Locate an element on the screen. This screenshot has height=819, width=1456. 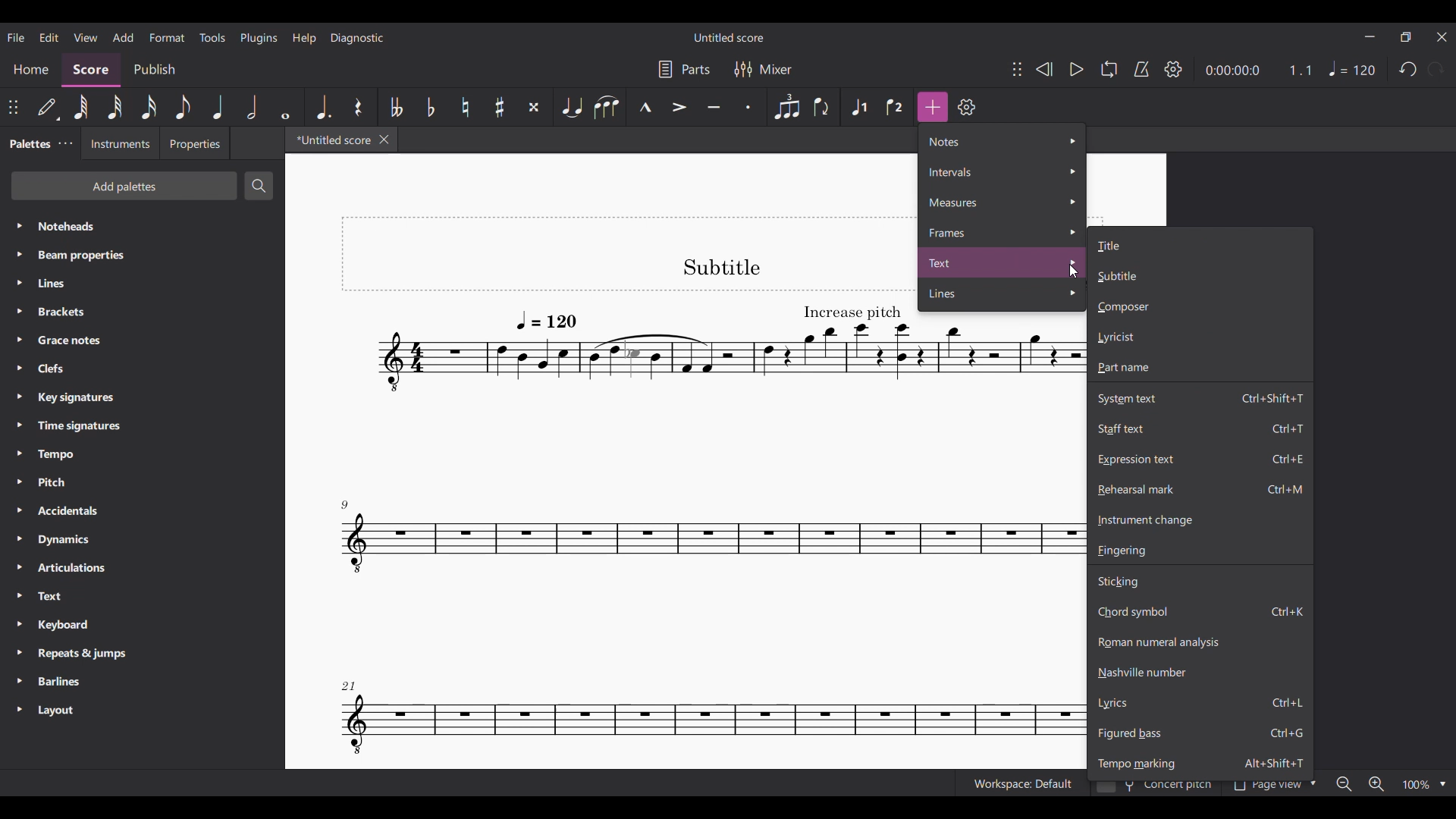
Lyricist is located at coordinates (1200, 337).